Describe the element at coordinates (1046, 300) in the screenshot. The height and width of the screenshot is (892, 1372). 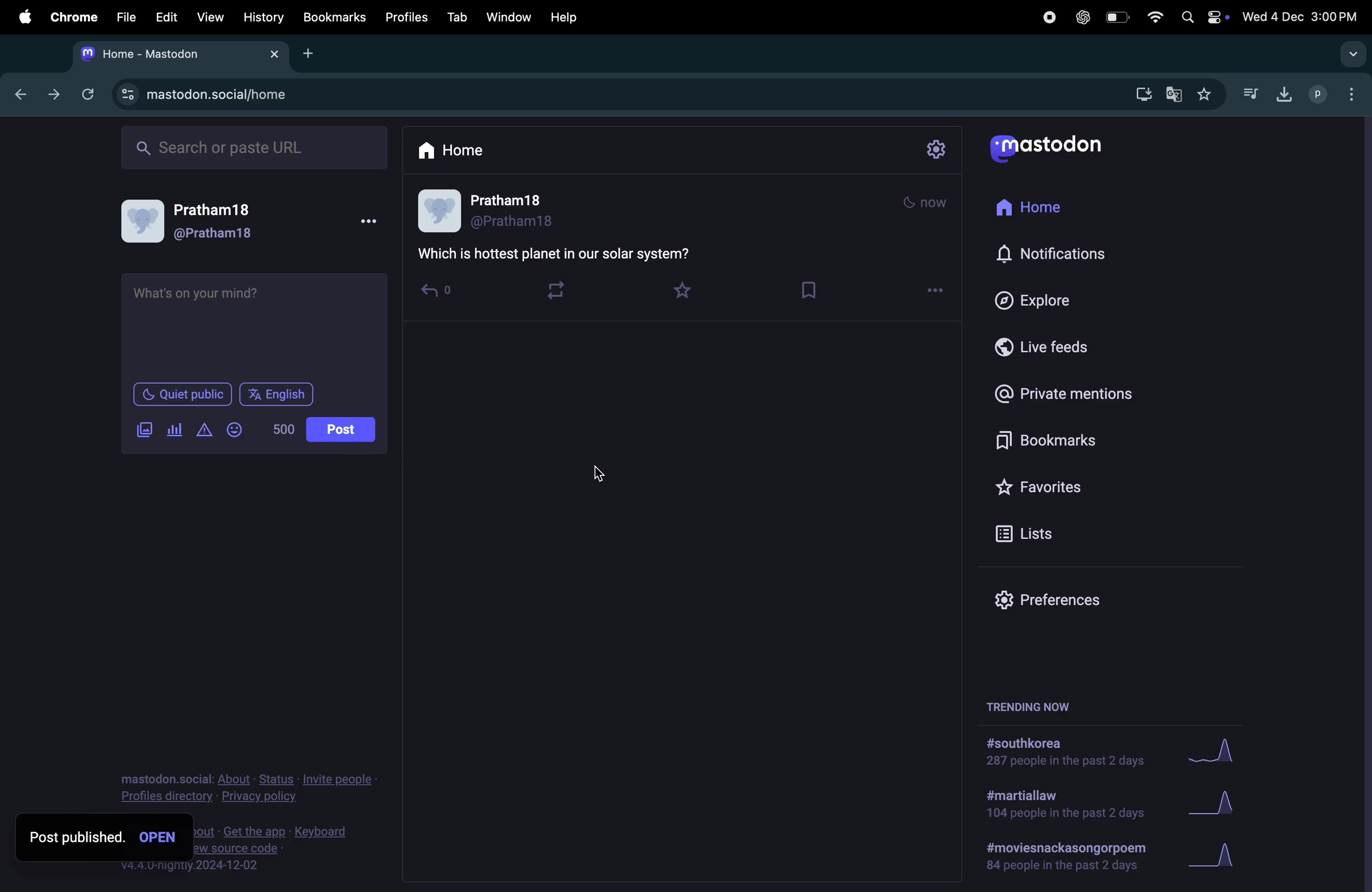
I see `Explore` at that location.